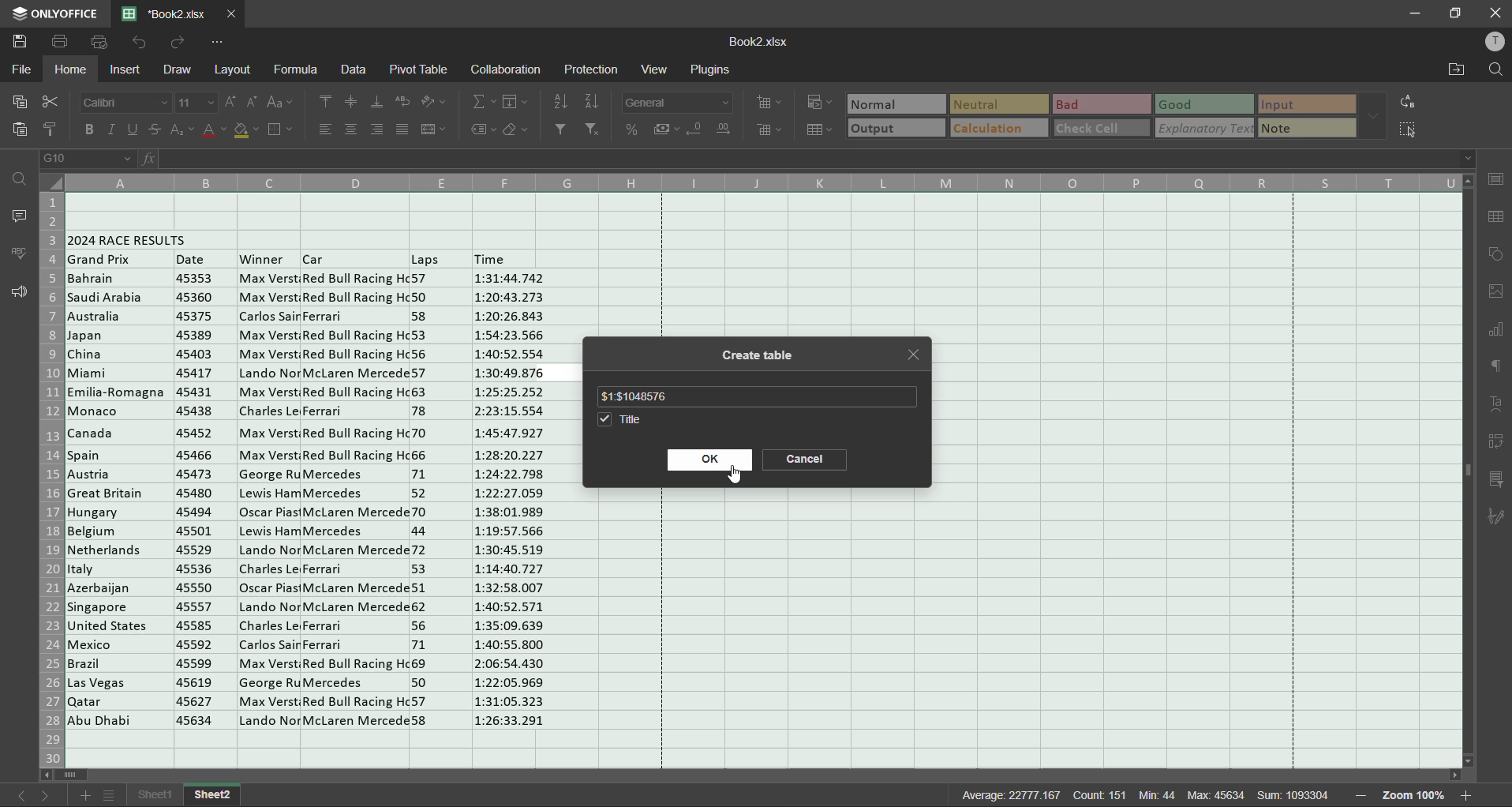 The height and width of the screenshot is (807, 1512). Describe the element at coordinates (1207, 128) in the screenshot. I see `explanatory text` at that location.